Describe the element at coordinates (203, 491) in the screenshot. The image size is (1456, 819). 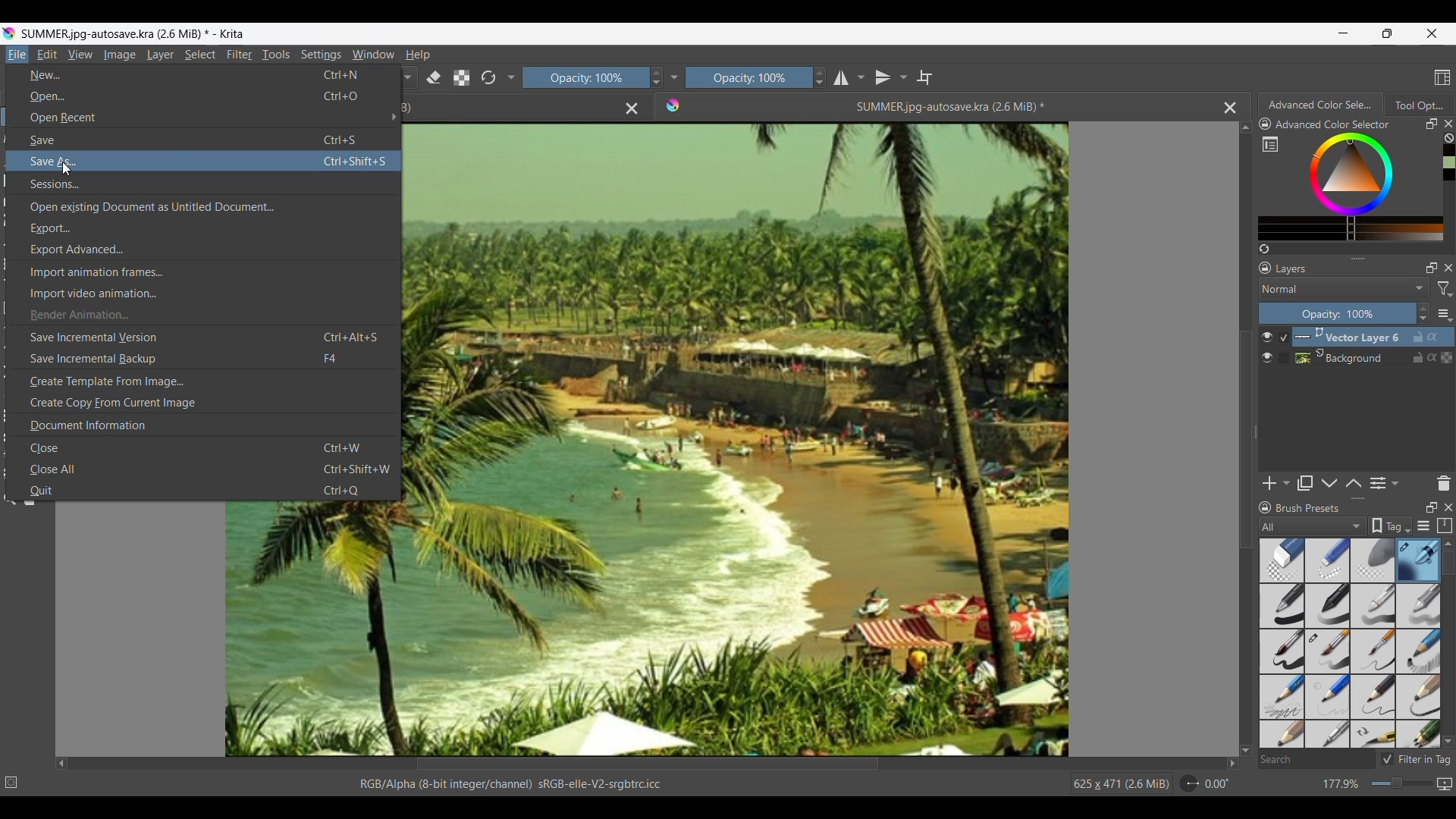
I see `Quit menu` at that location.